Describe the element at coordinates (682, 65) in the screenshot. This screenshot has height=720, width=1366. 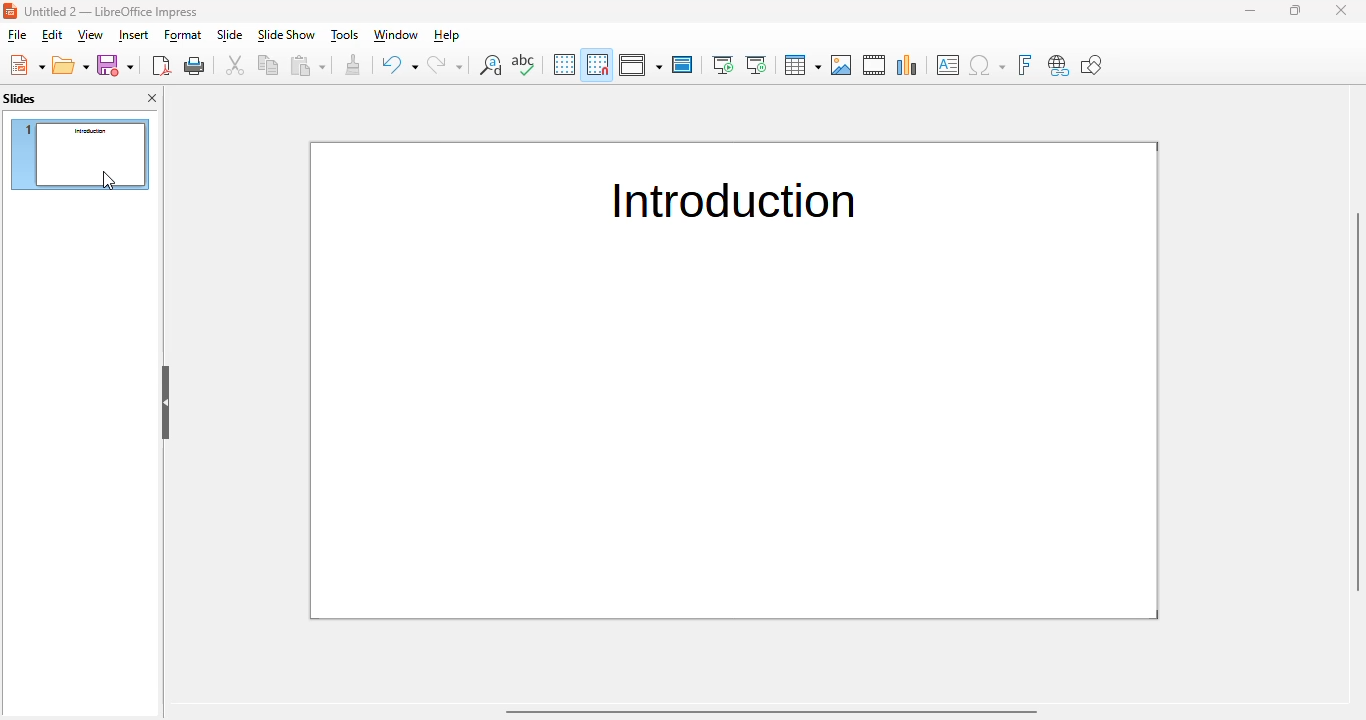
I see `master slide` at that location.